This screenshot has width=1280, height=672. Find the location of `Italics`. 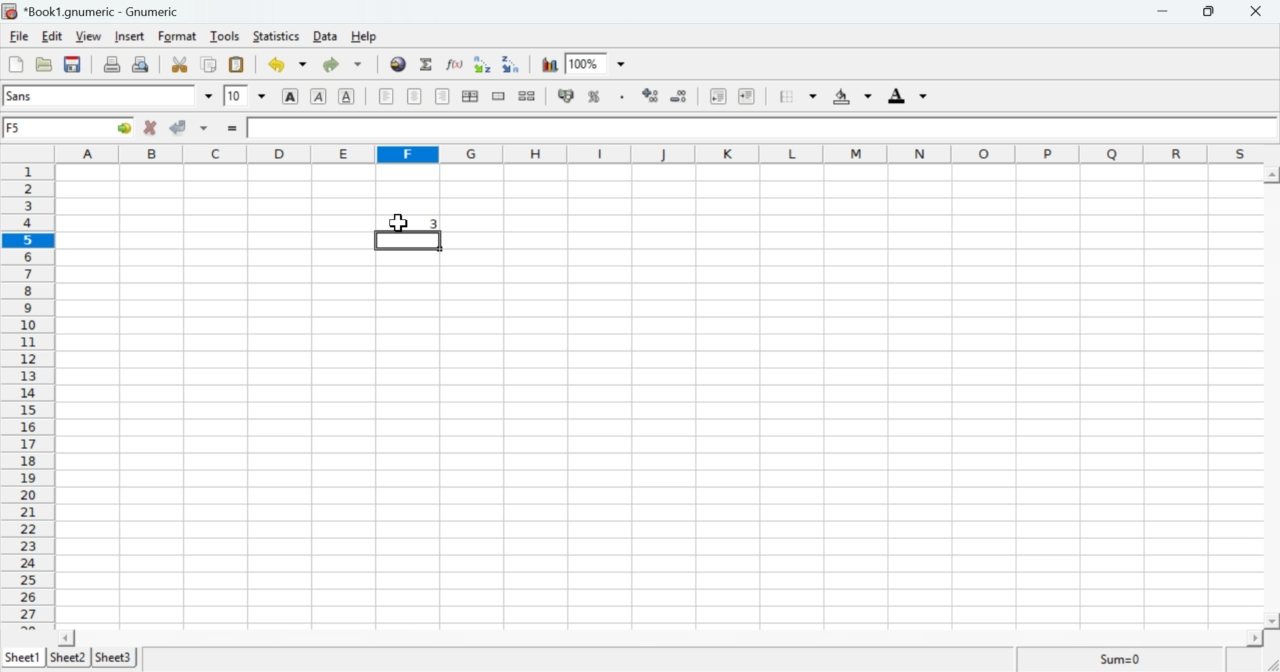

Italics is located at coordinates (319, 96).